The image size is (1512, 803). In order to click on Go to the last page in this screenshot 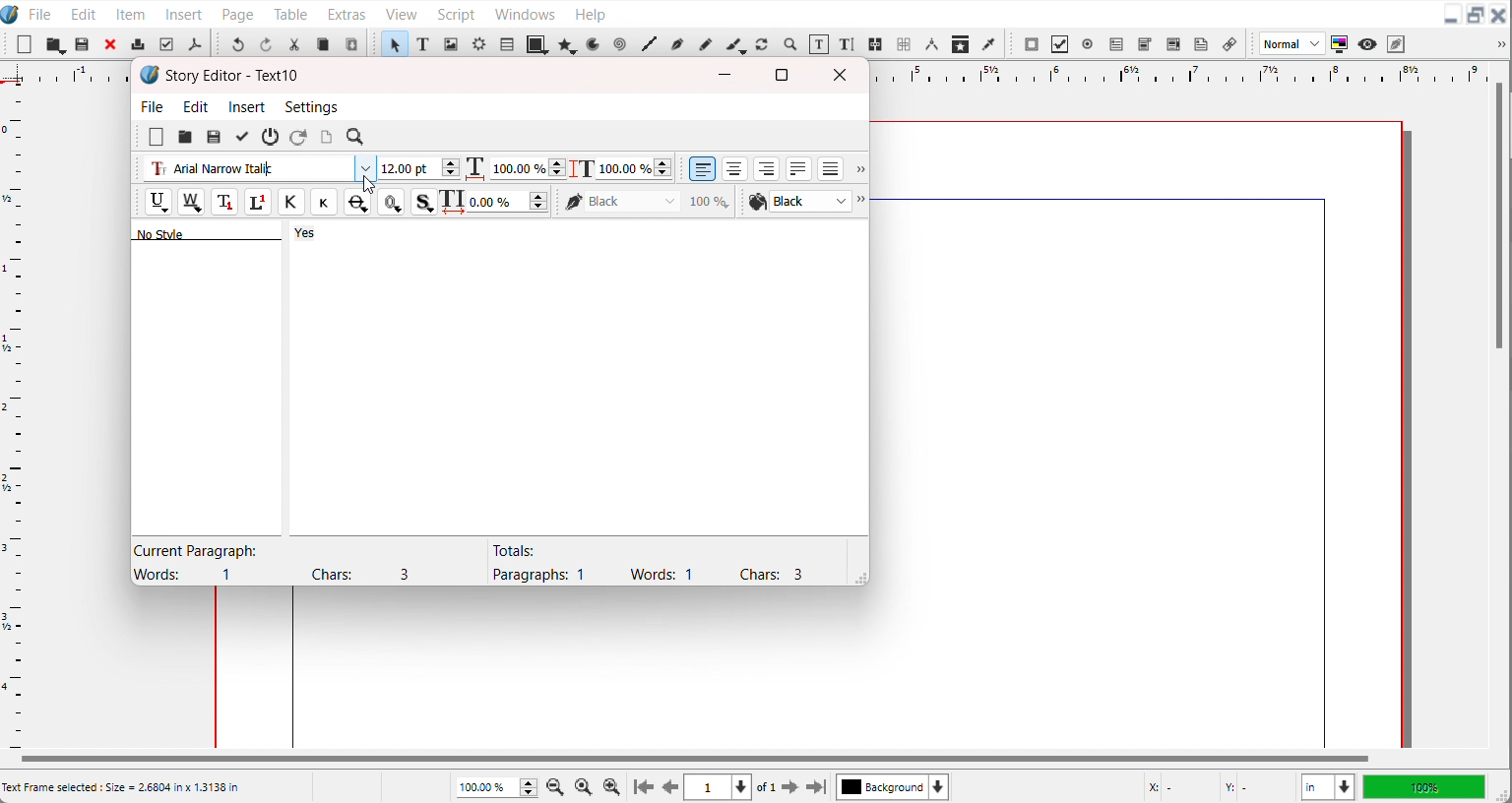, I will do `click(816, 787)`.